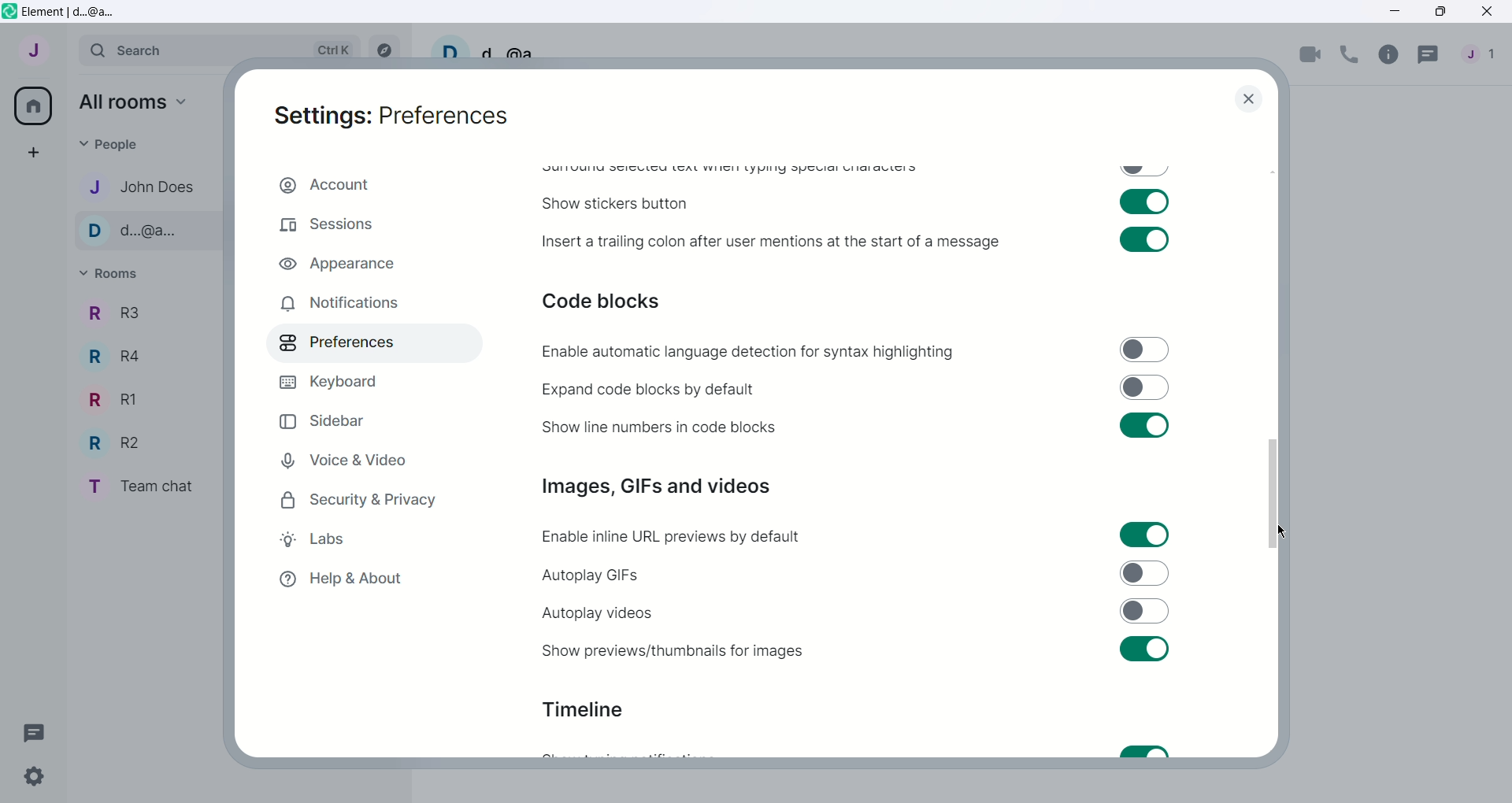  What do you see at coordinates (1249, 98) in the screenshot?
I see `close` at bounding box center [1249, 98].